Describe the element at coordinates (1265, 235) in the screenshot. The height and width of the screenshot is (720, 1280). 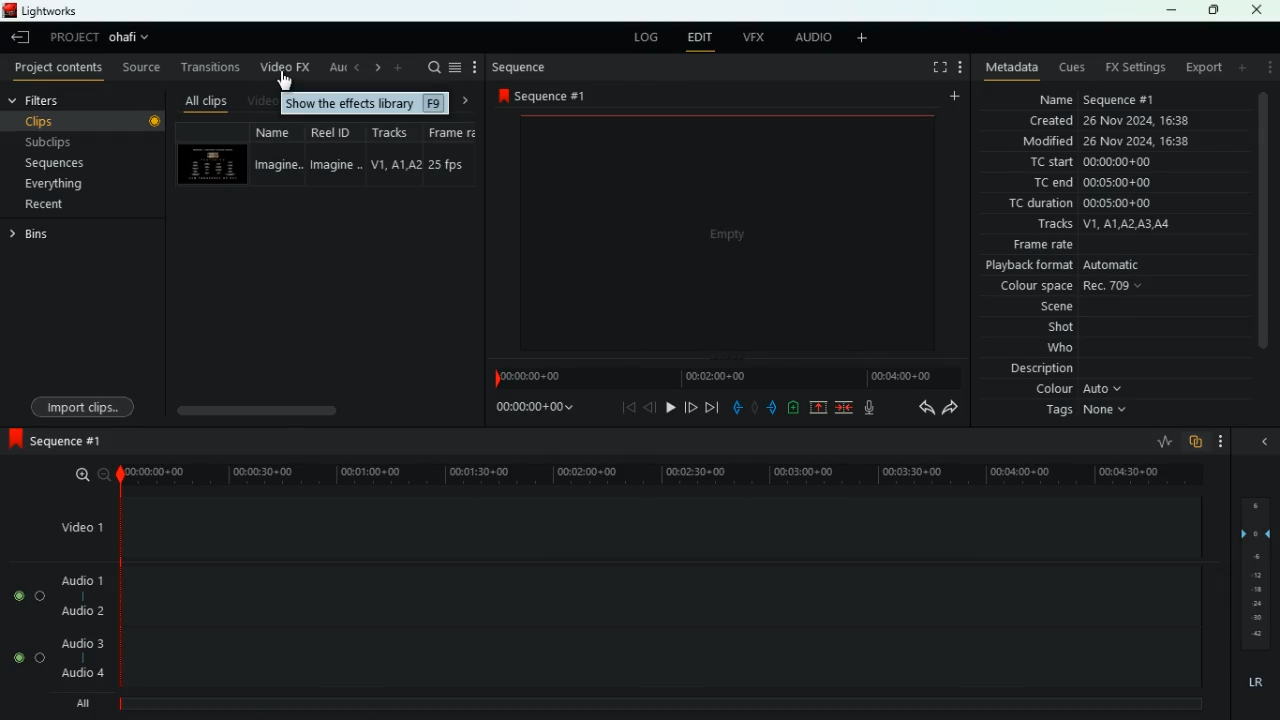
I see `scroll bar` at that location.